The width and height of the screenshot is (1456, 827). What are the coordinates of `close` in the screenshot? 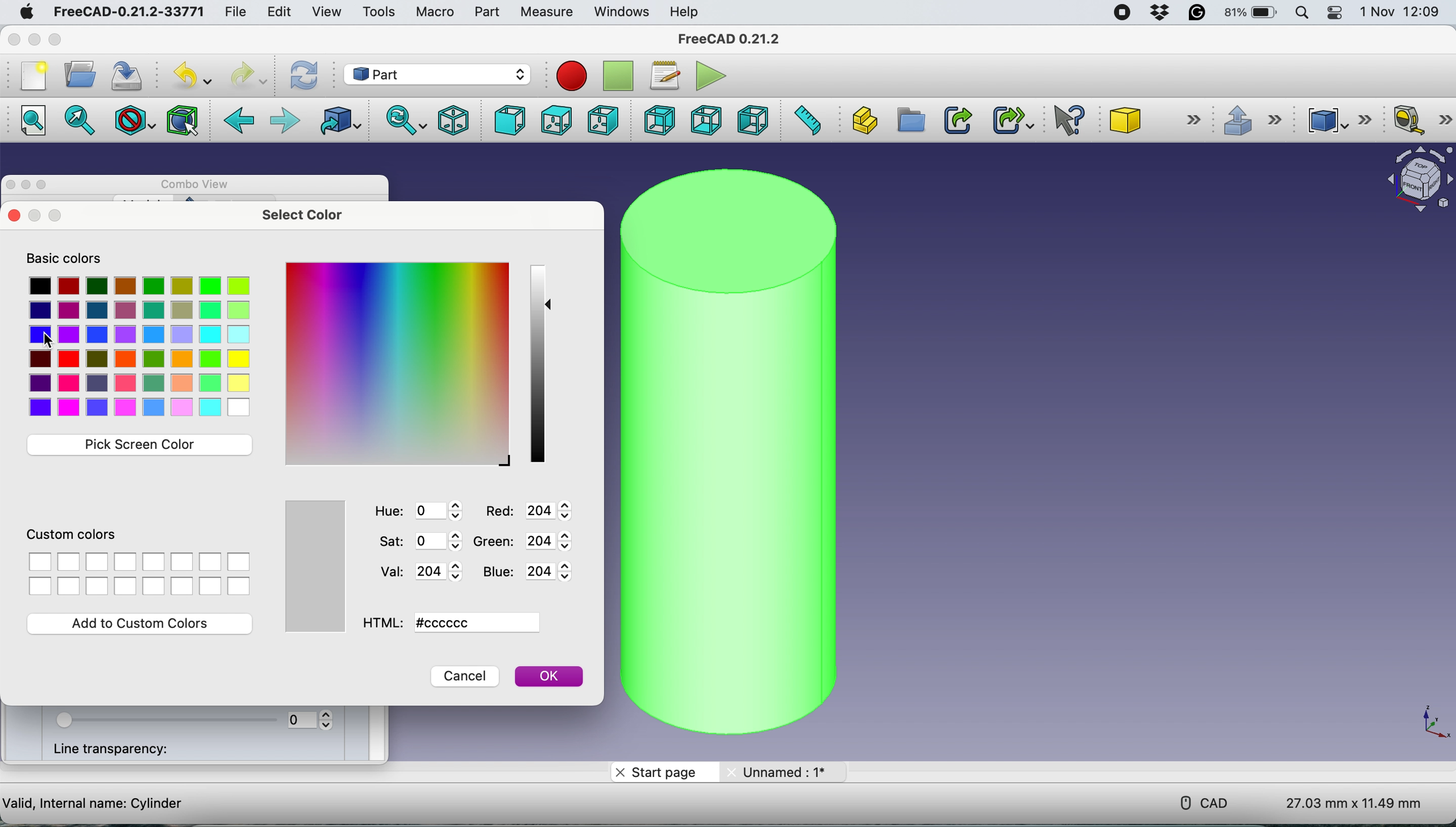 It's located at (14, 39).